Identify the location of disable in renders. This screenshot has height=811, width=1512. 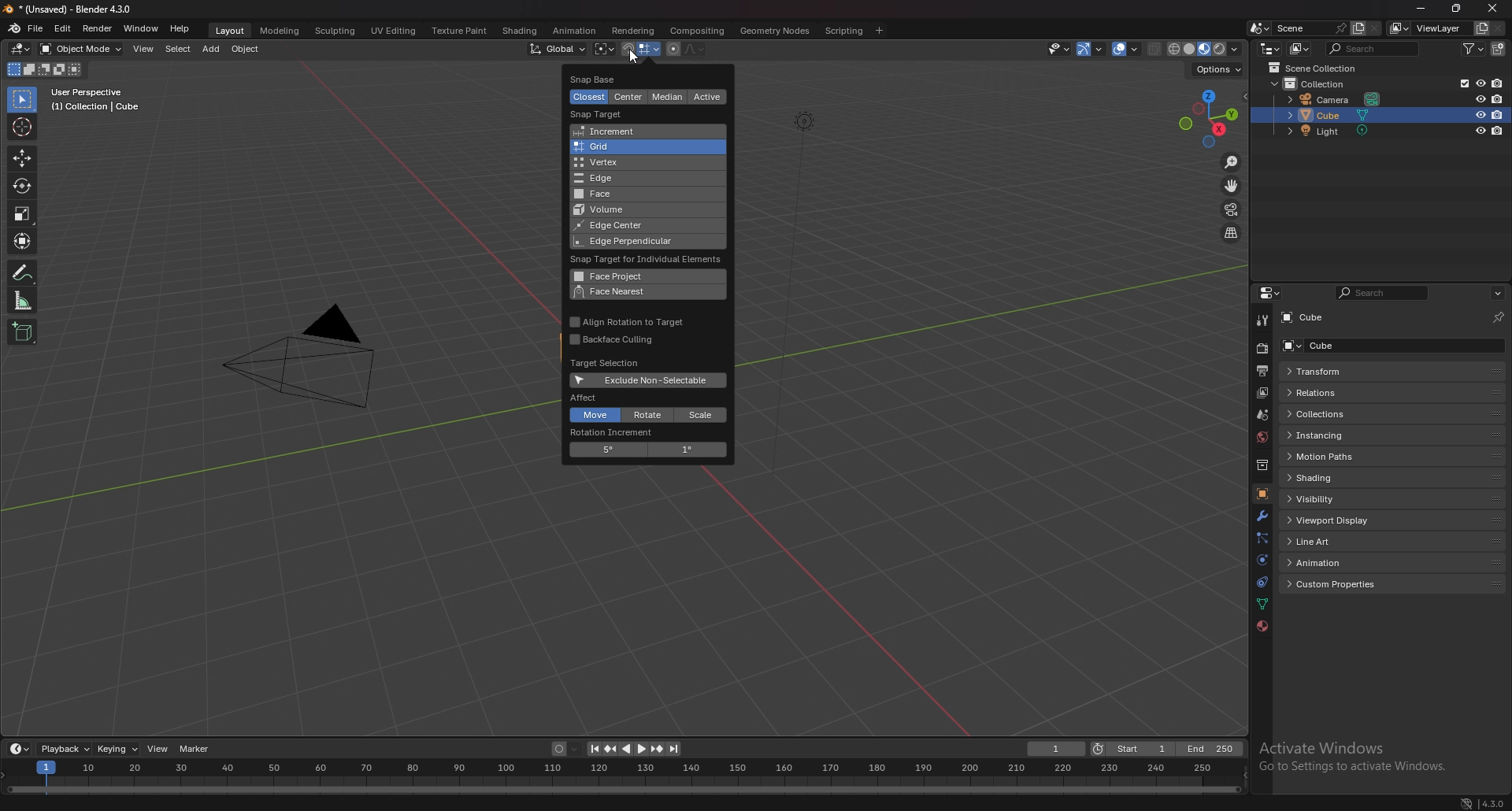
(1498, 131).